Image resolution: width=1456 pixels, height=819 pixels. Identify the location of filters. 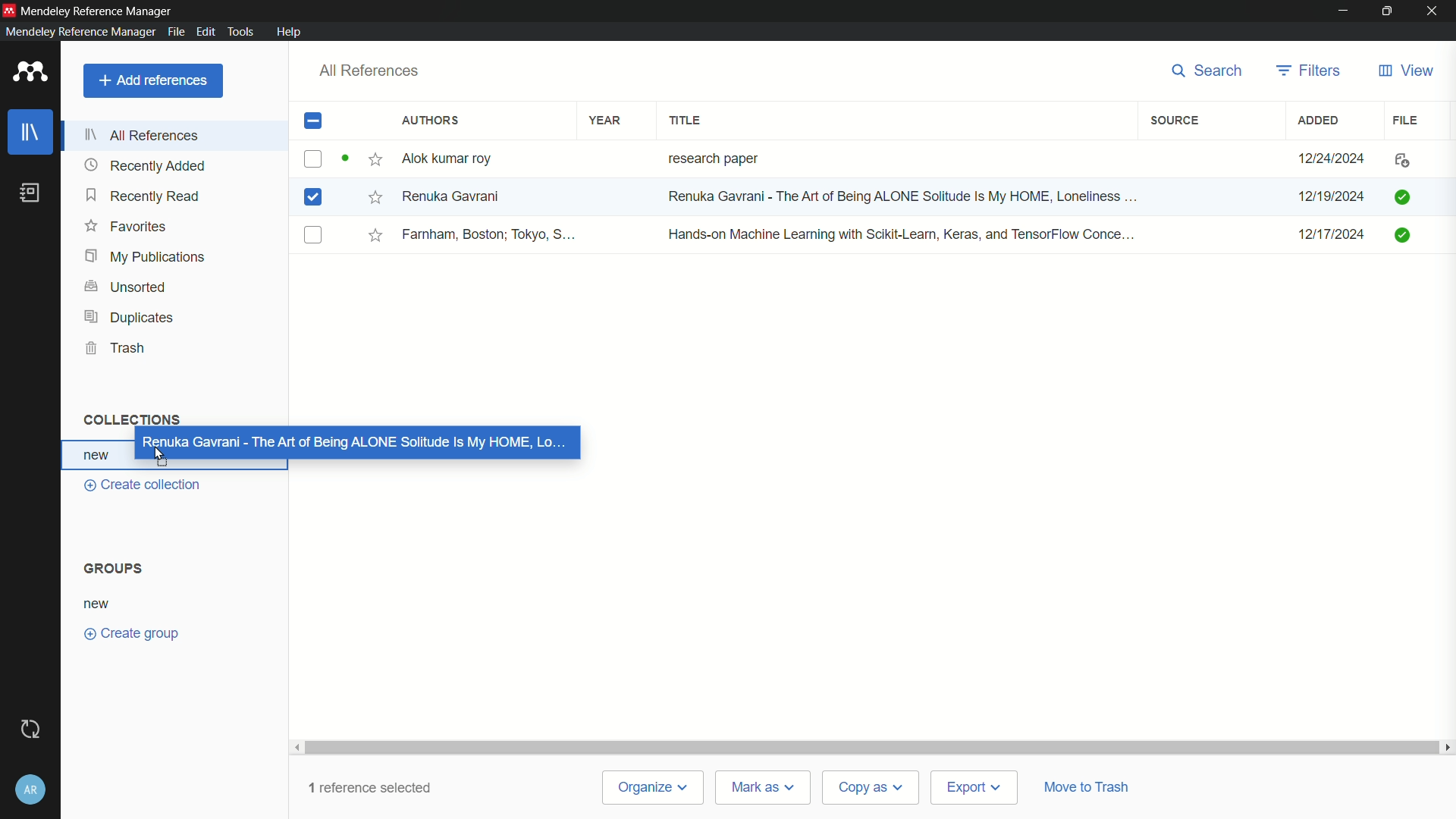
(1310, 71).